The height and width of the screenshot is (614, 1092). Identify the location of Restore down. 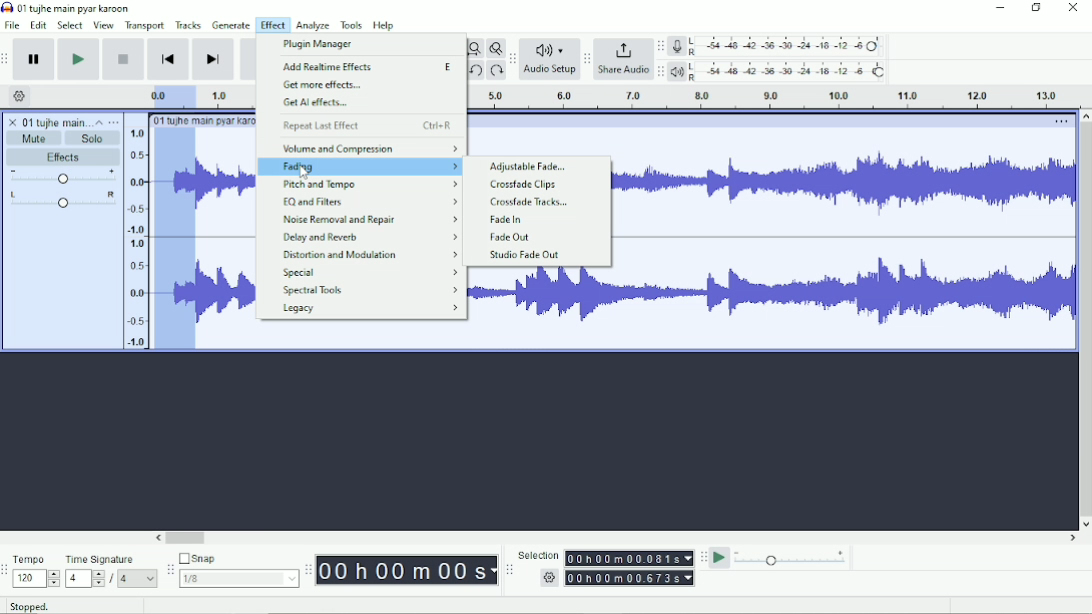
(1037, 8).